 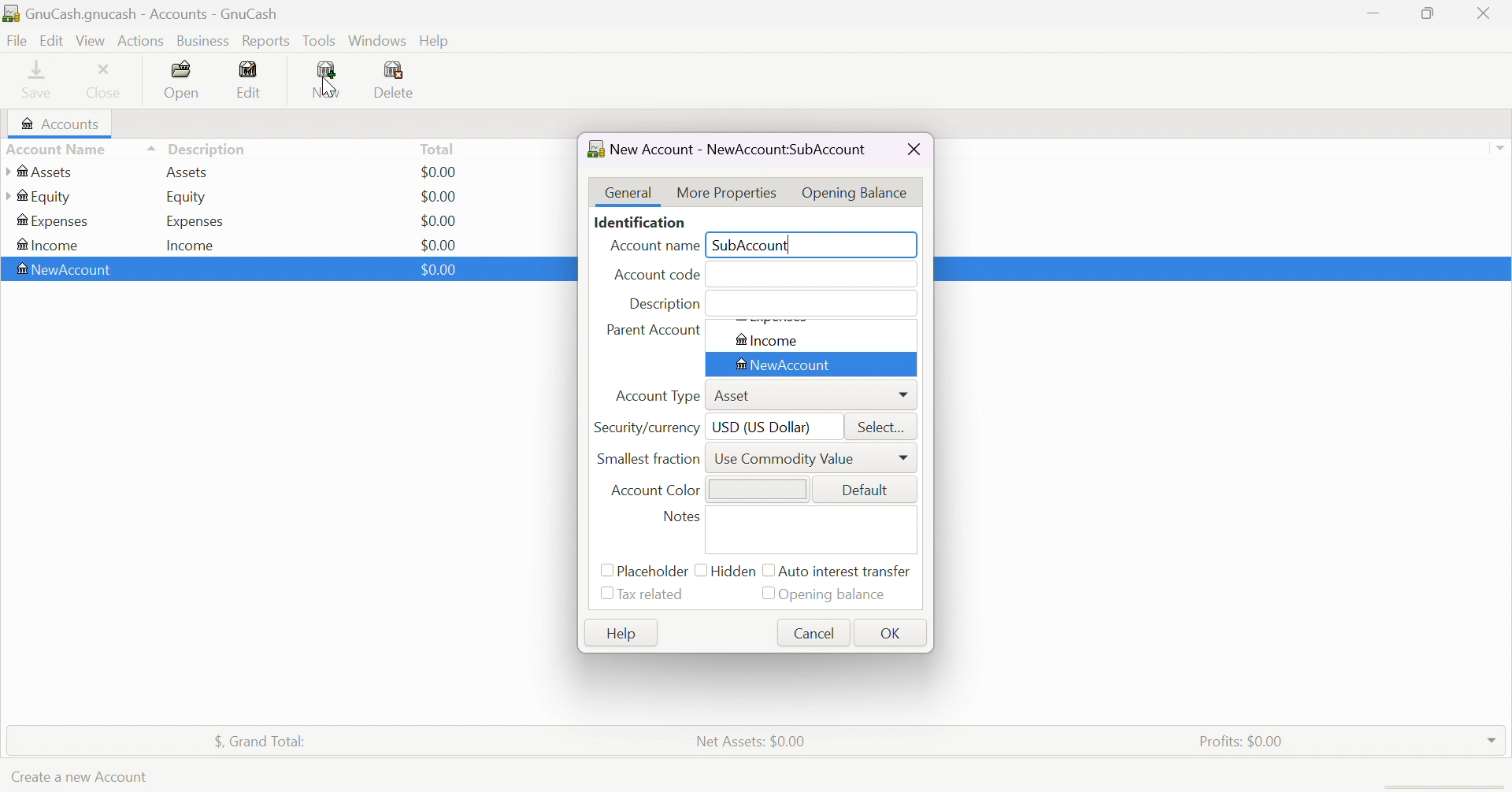 What do you see at coordinates (754, 246) in the screenshot?
I see `SubAccount` at bounding box center [754, 246].